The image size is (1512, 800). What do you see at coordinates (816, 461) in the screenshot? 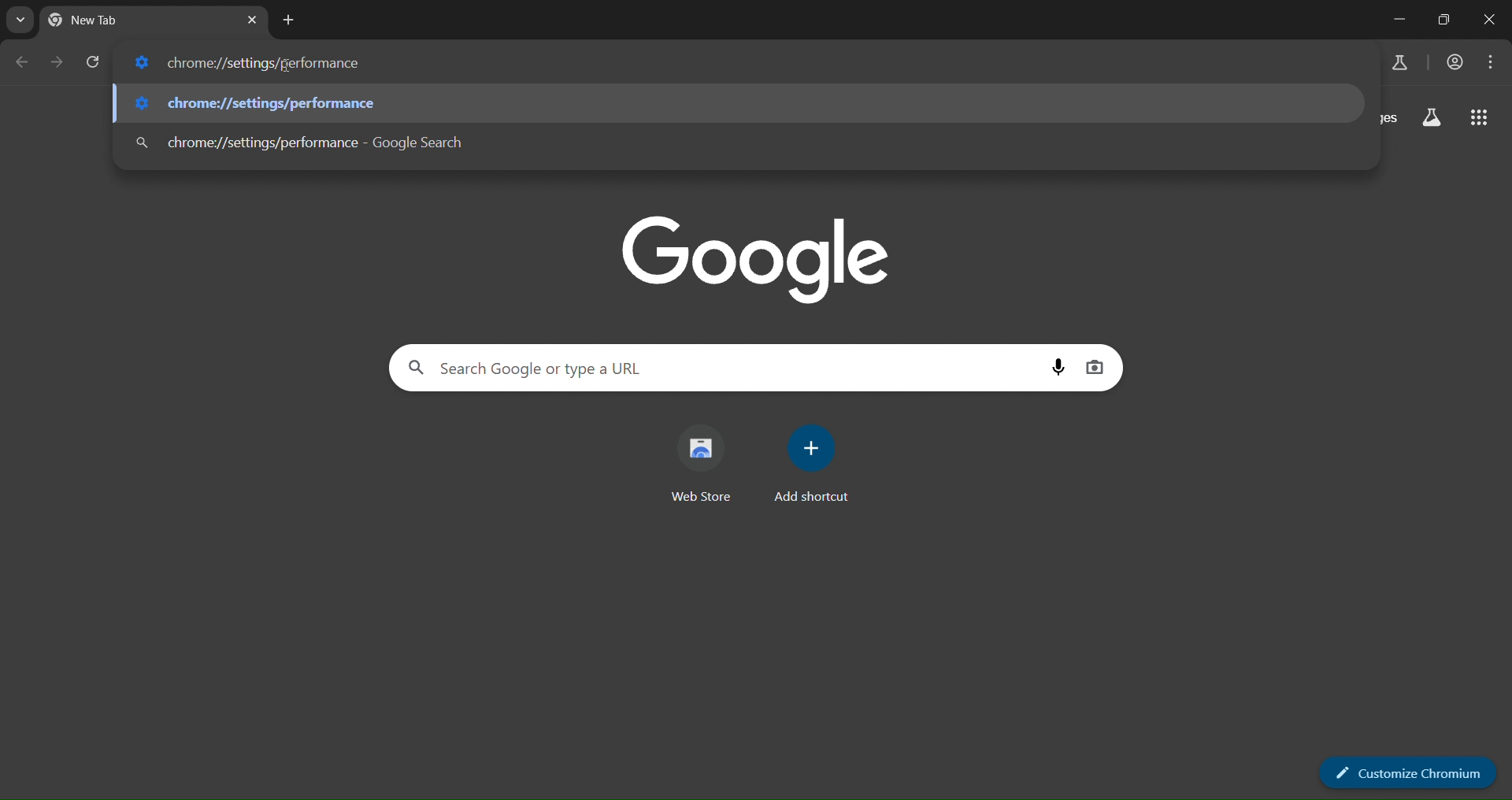
I see `add shortcut` at bounding box center [816, 461].